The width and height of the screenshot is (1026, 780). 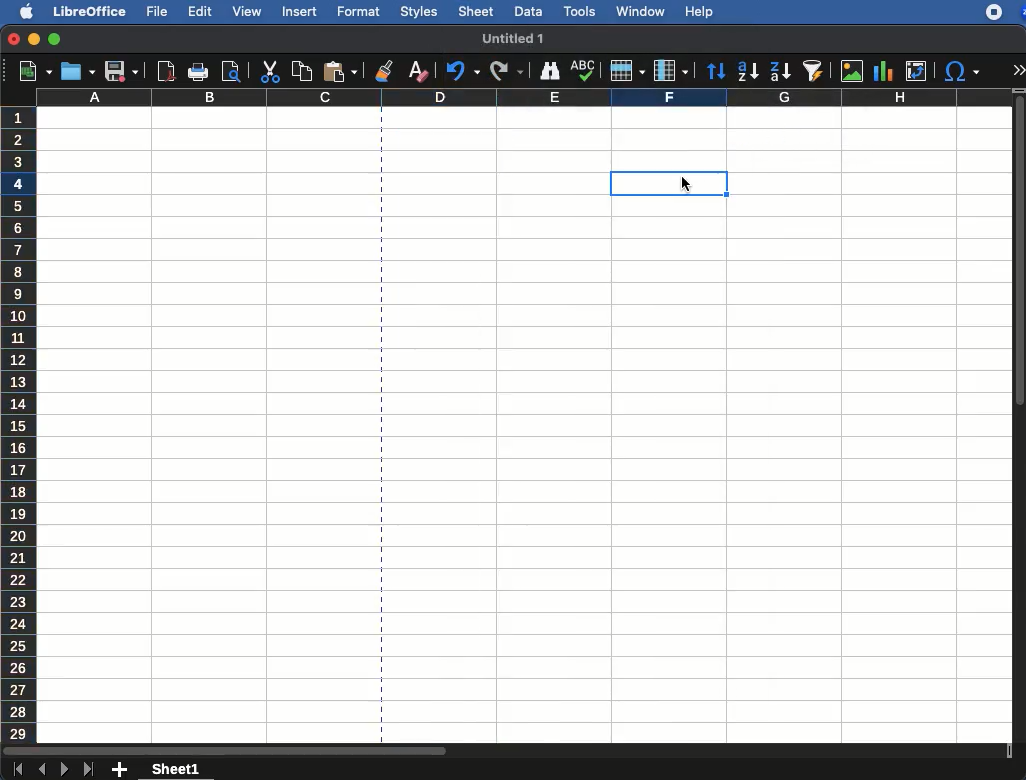 I want to click on close, so click(x=13, y=39).